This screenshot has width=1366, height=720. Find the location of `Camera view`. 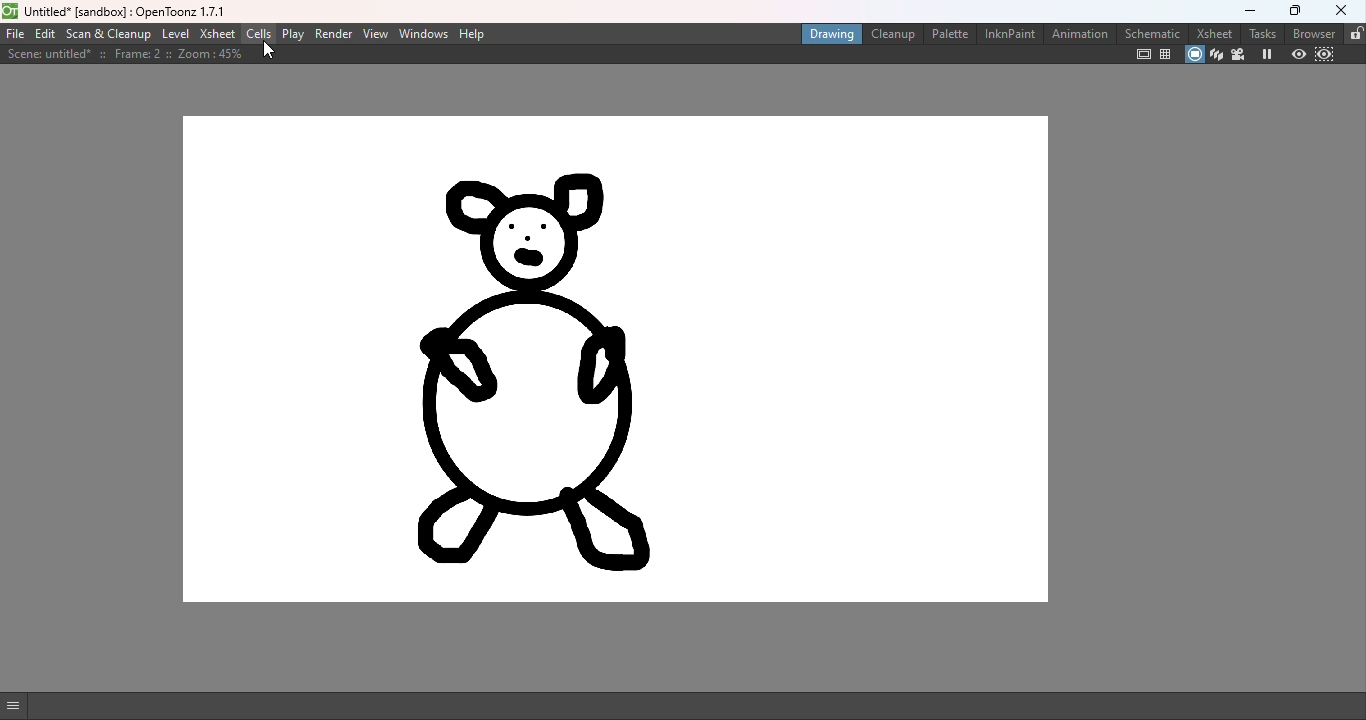

Camera view is located at coordinates (1240, 56).